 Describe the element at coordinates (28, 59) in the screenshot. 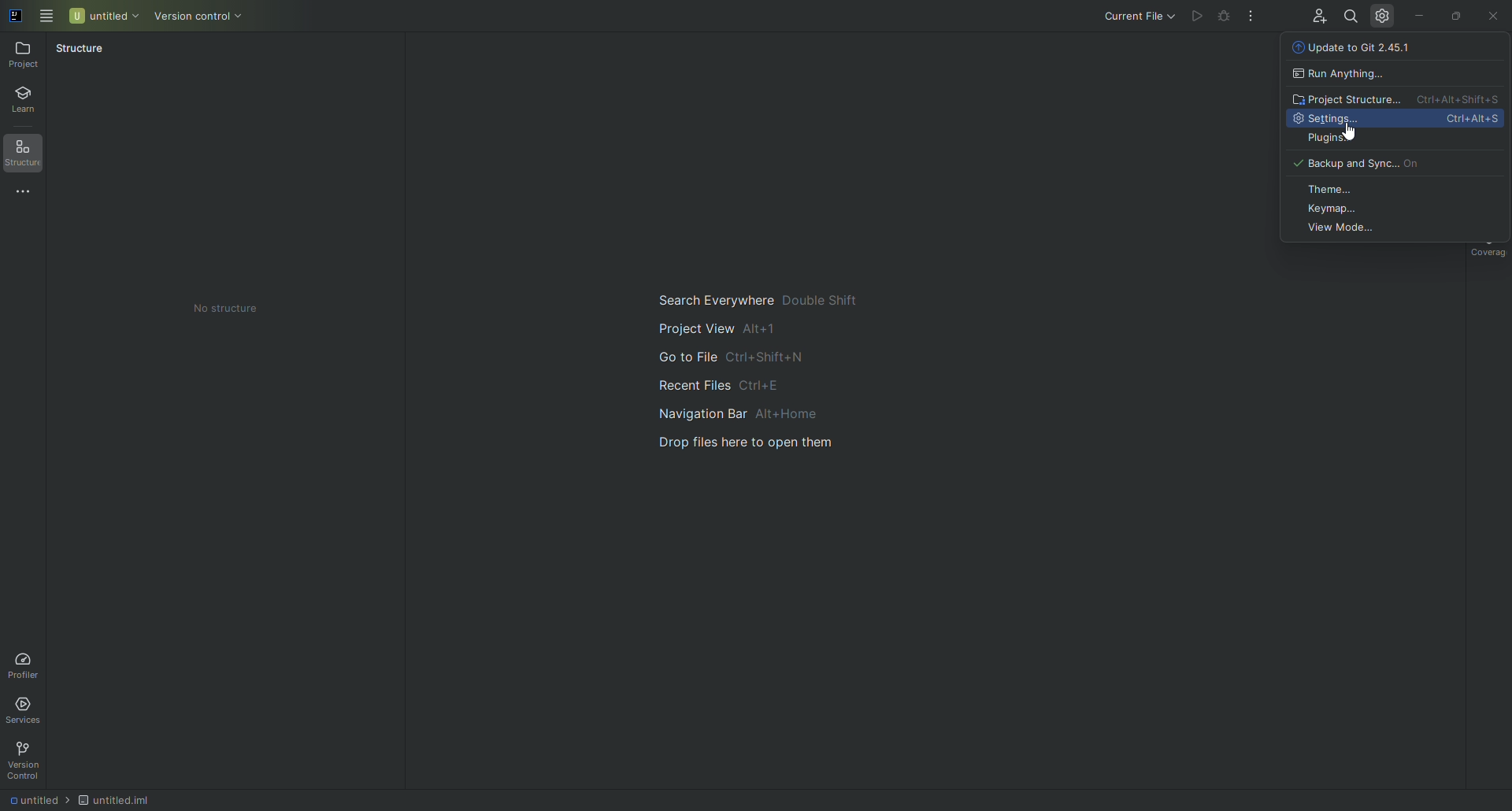

I see `Project` at that location.